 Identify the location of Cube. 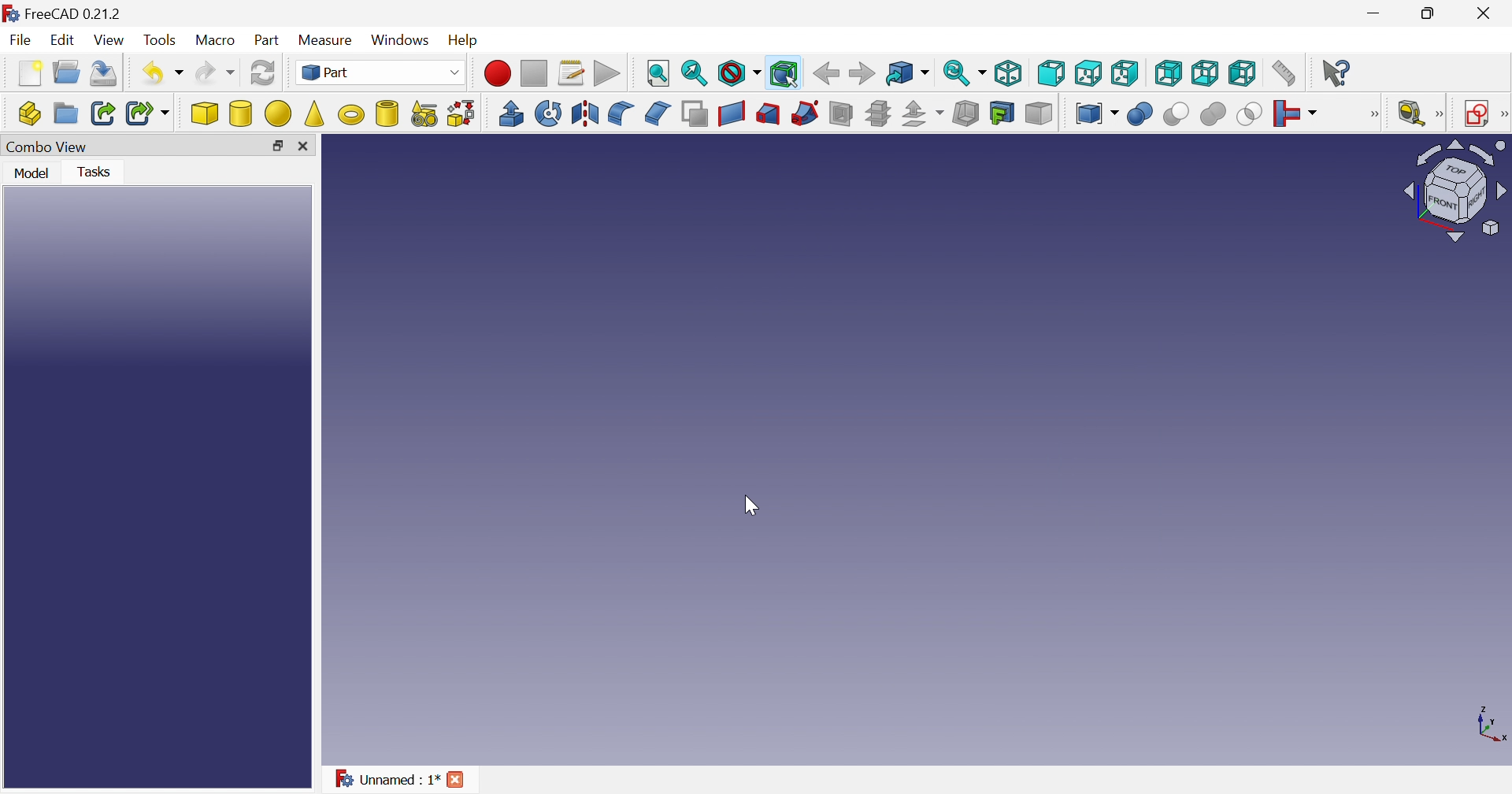
(205, 113).